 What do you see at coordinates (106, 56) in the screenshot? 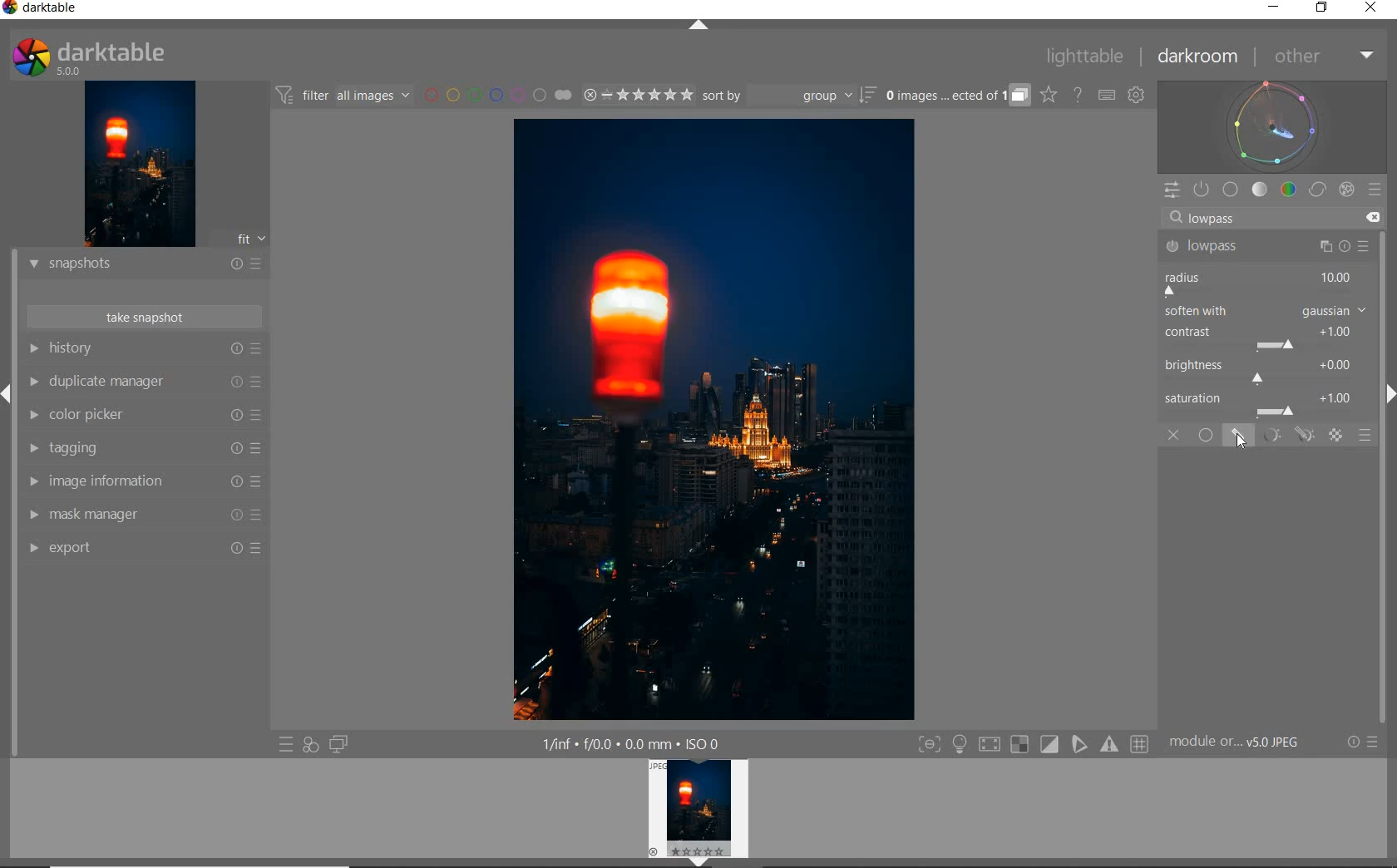
I see `SYSTEM LOG` at bounding box center [106, 56].